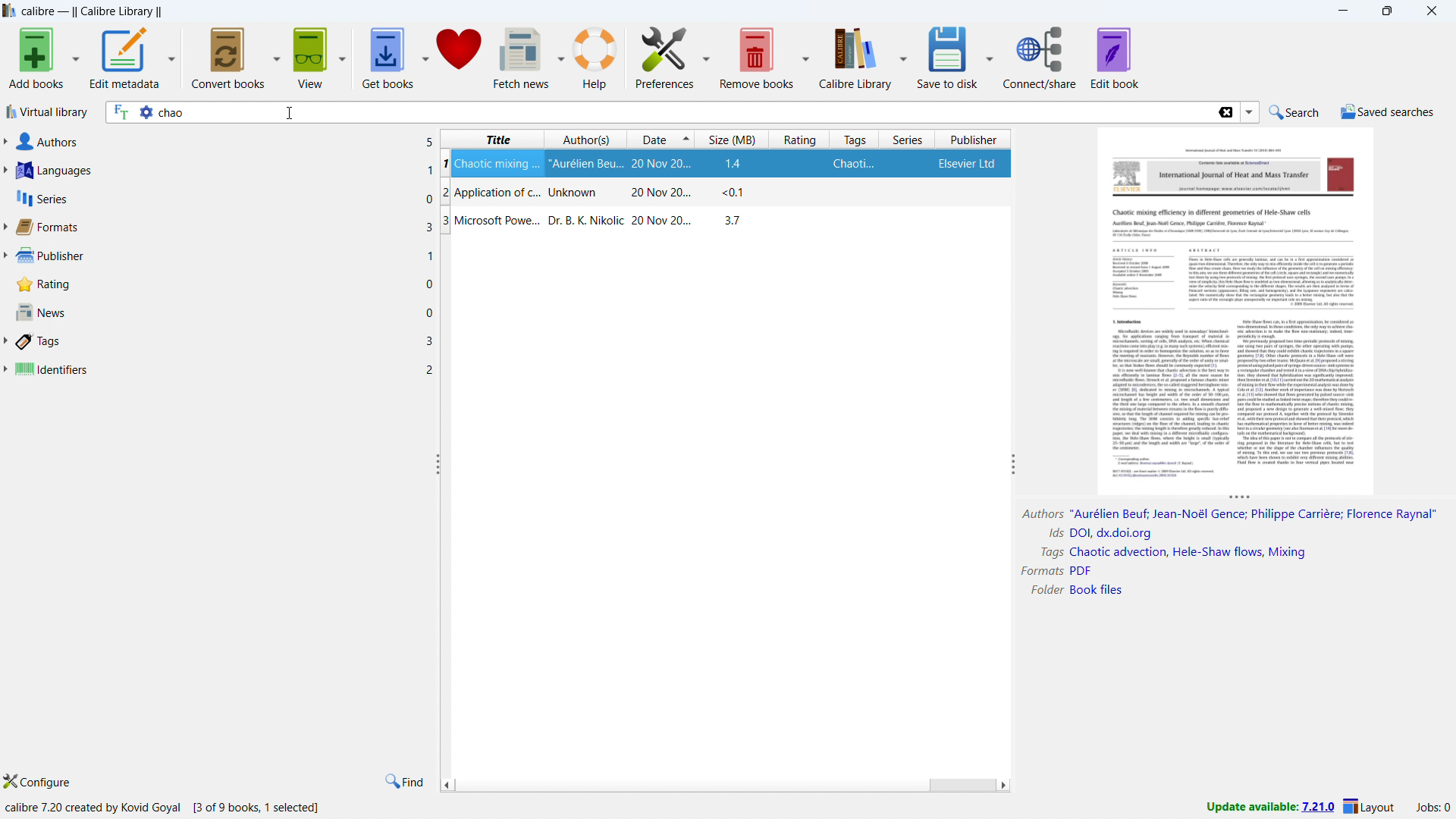  What do you see at coordinates (596, 57) in the screenshot?
I see `help` at bounding box center [596, 57].